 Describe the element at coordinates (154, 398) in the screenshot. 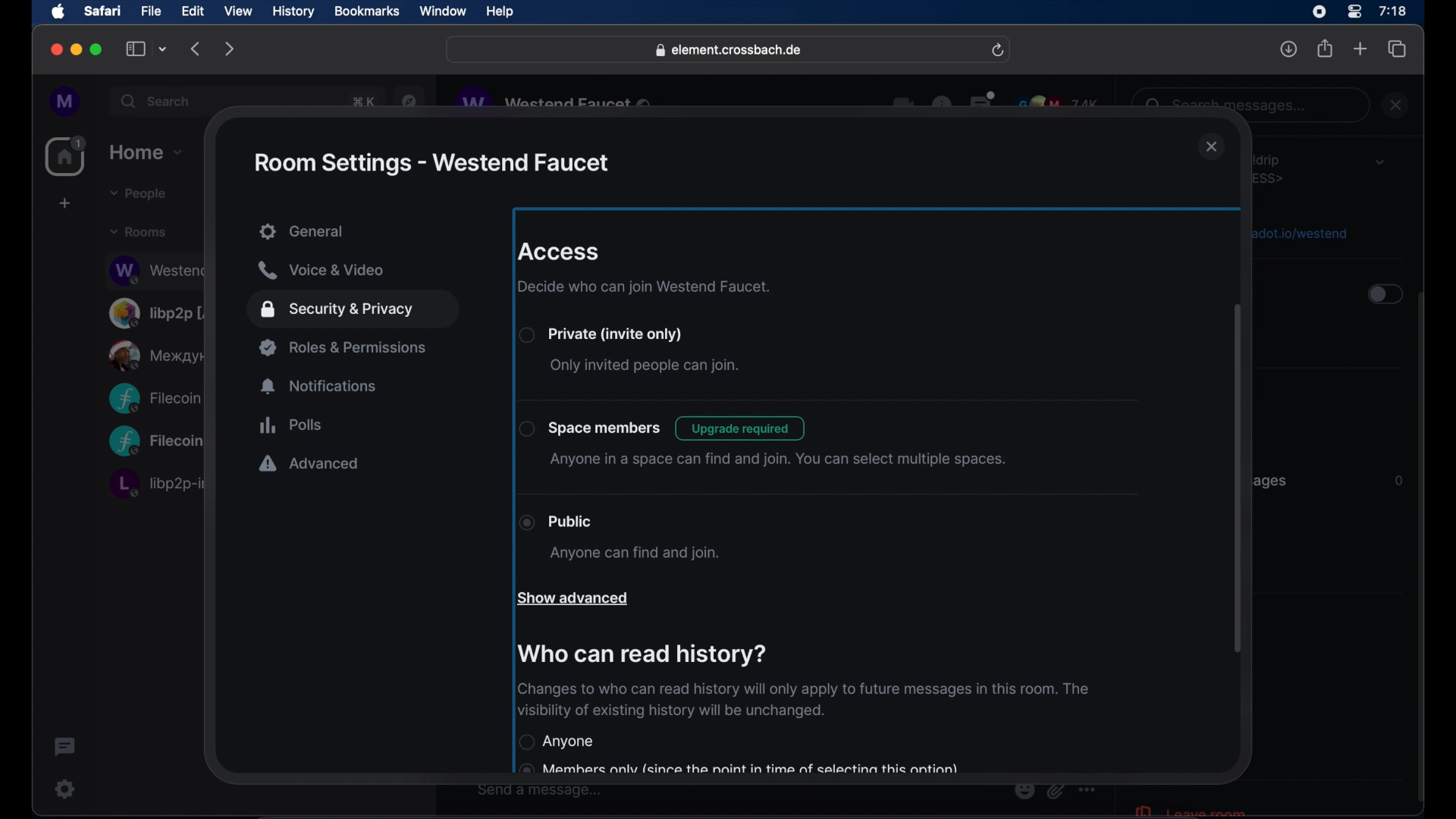

I see `obscure` at that location.